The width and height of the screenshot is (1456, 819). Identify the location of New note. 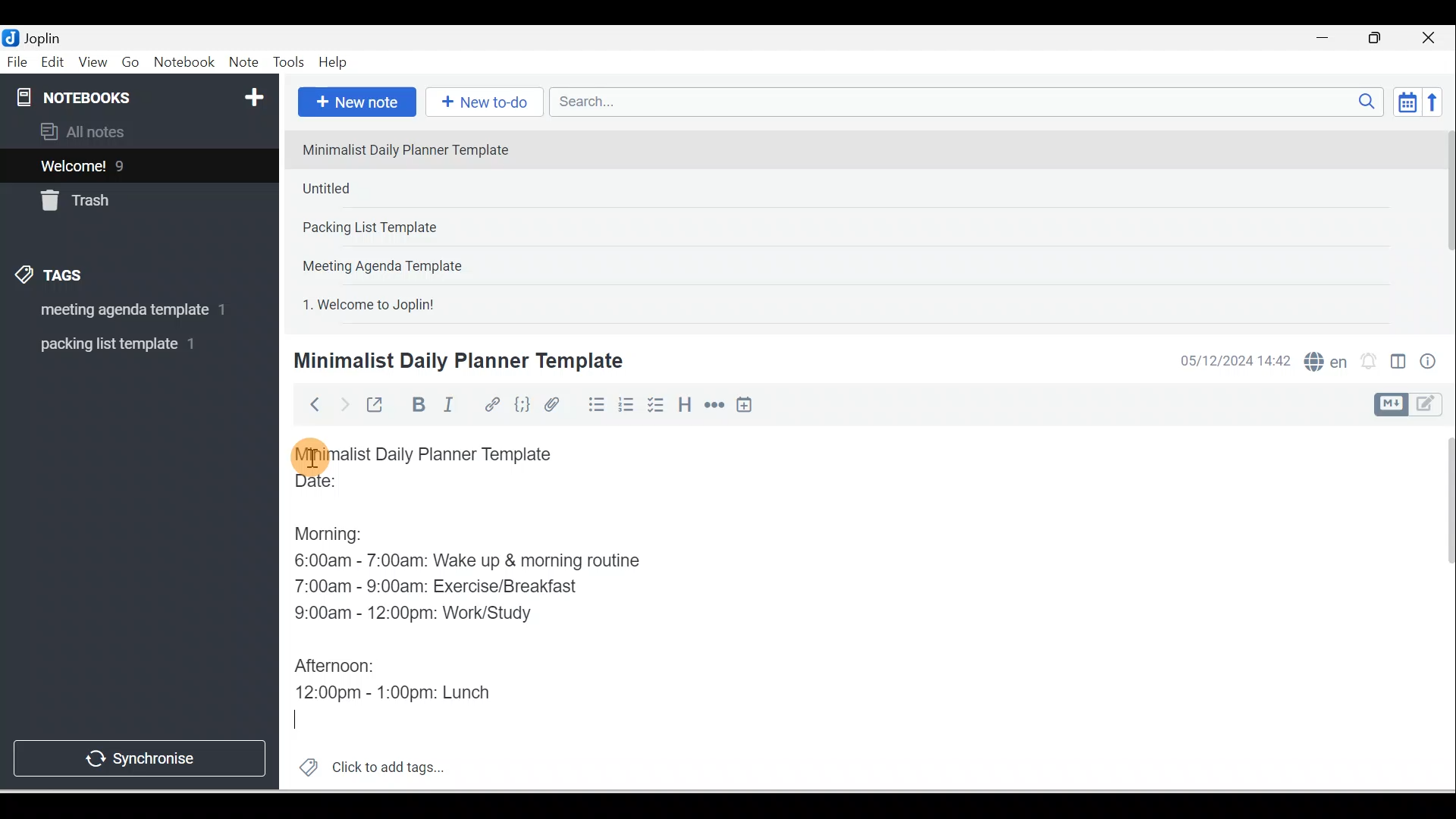
(354, 103).